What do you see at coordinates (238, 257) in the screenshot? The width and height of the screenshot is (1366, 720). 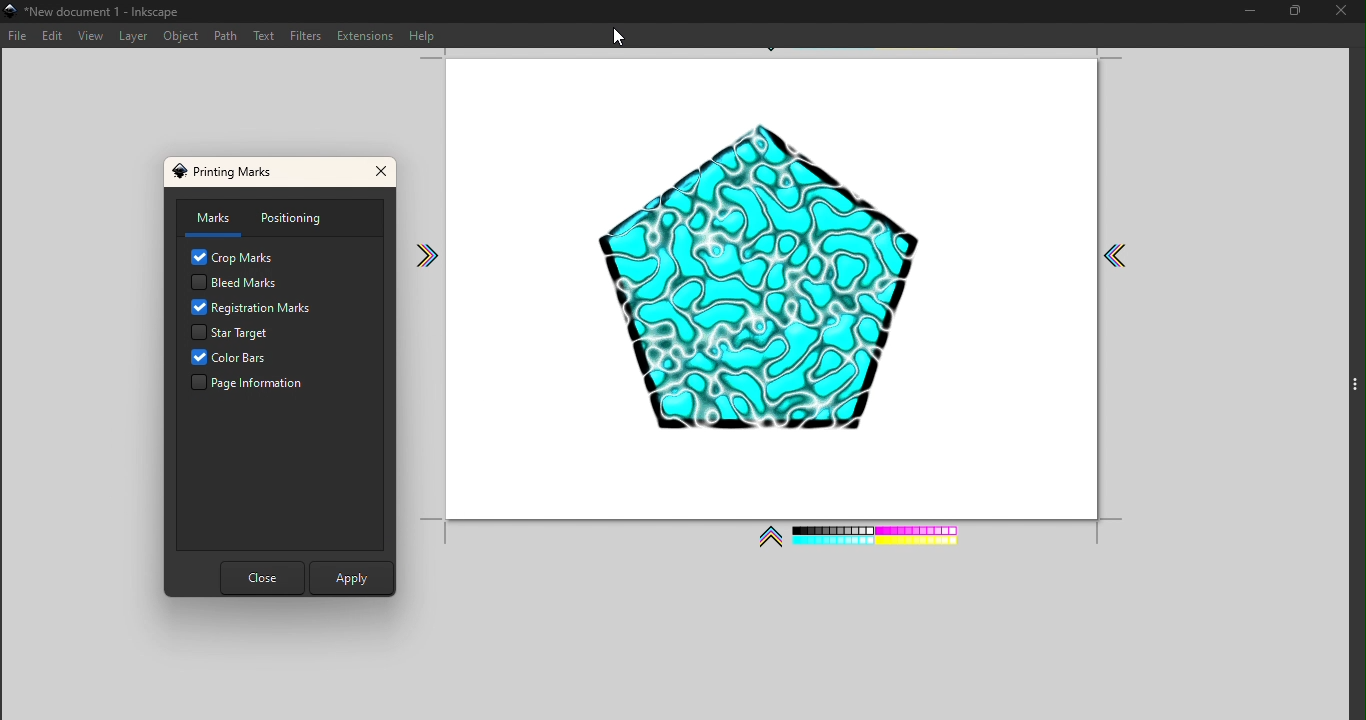 I see `Crop Marks` at bounding box center [238, 257].